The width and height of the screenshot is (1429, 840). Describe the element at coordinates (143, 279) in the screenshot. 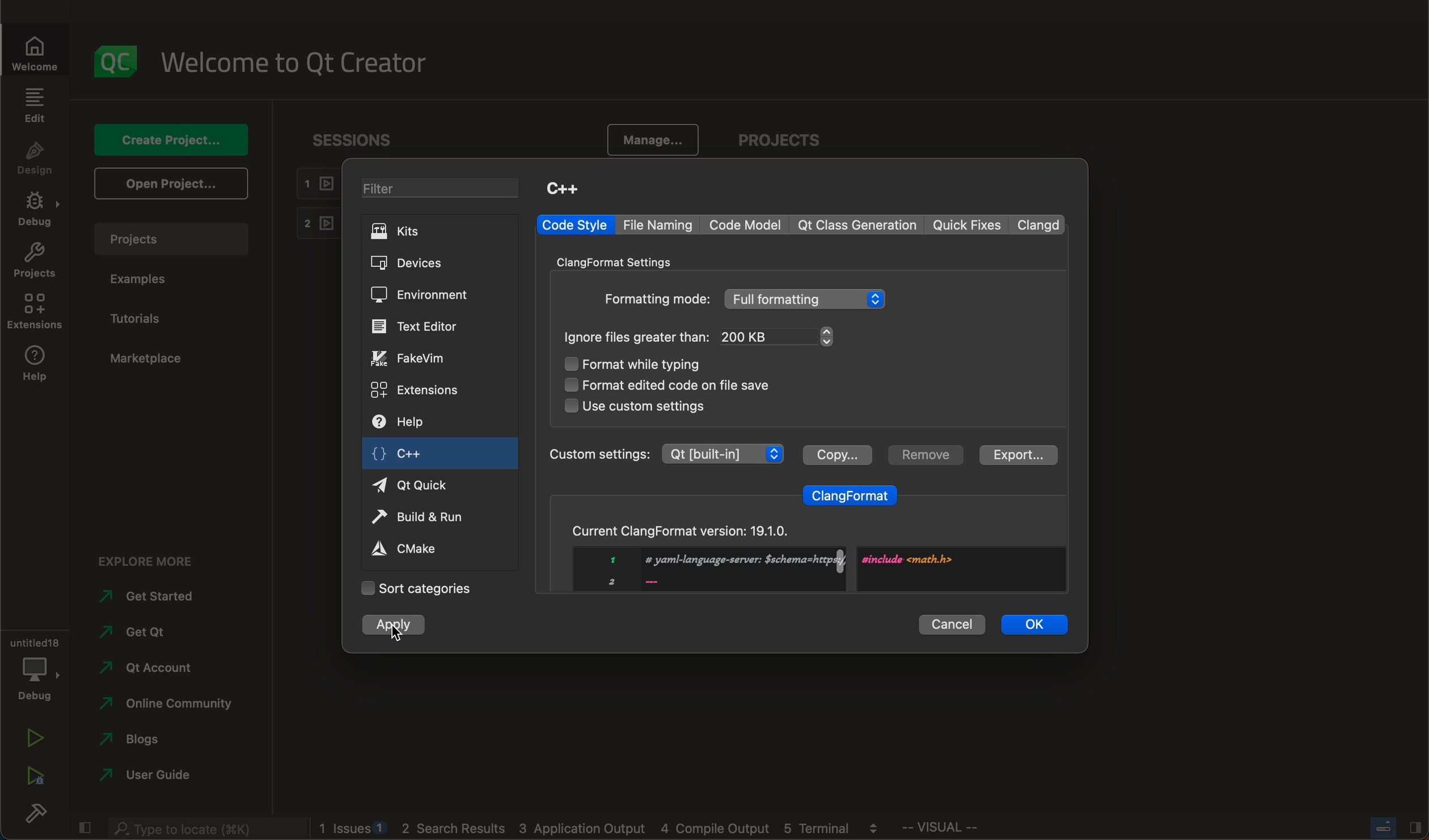

I see `examples` at that location.